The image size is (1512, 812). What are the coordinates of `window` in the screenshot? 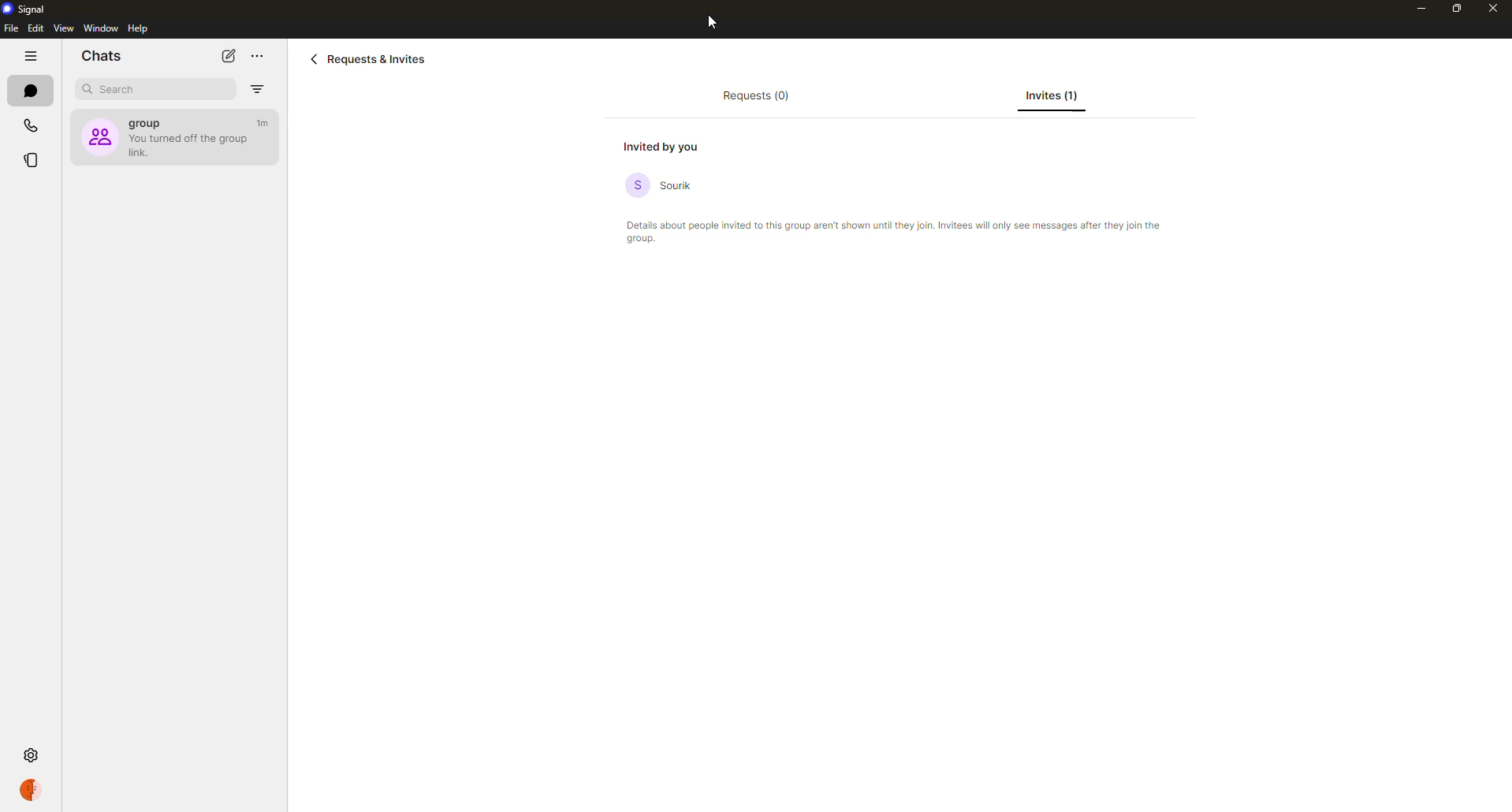 It's located at (101, 28).